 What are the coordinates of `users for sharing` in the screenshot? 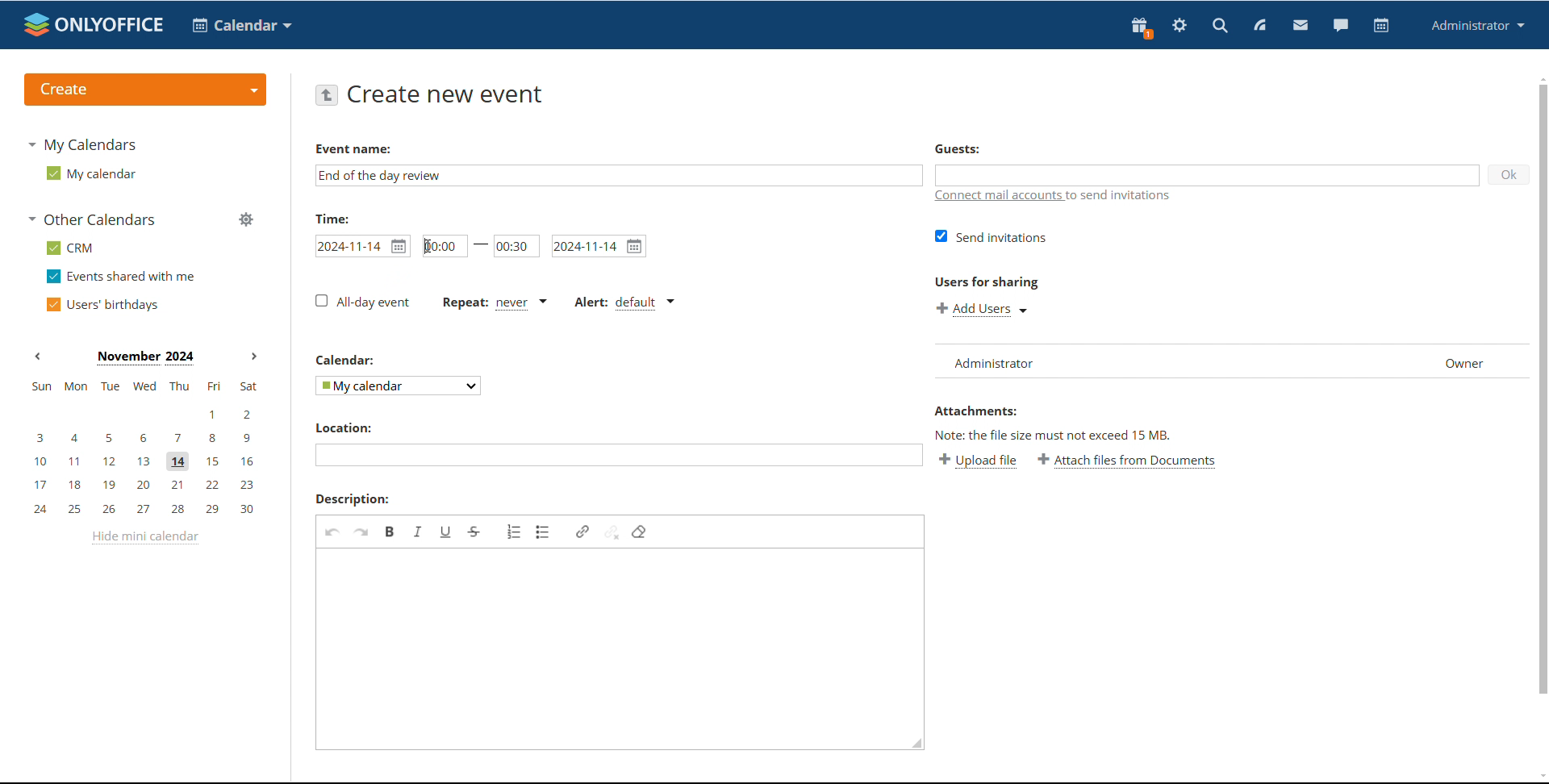 It's located at (987, 281).